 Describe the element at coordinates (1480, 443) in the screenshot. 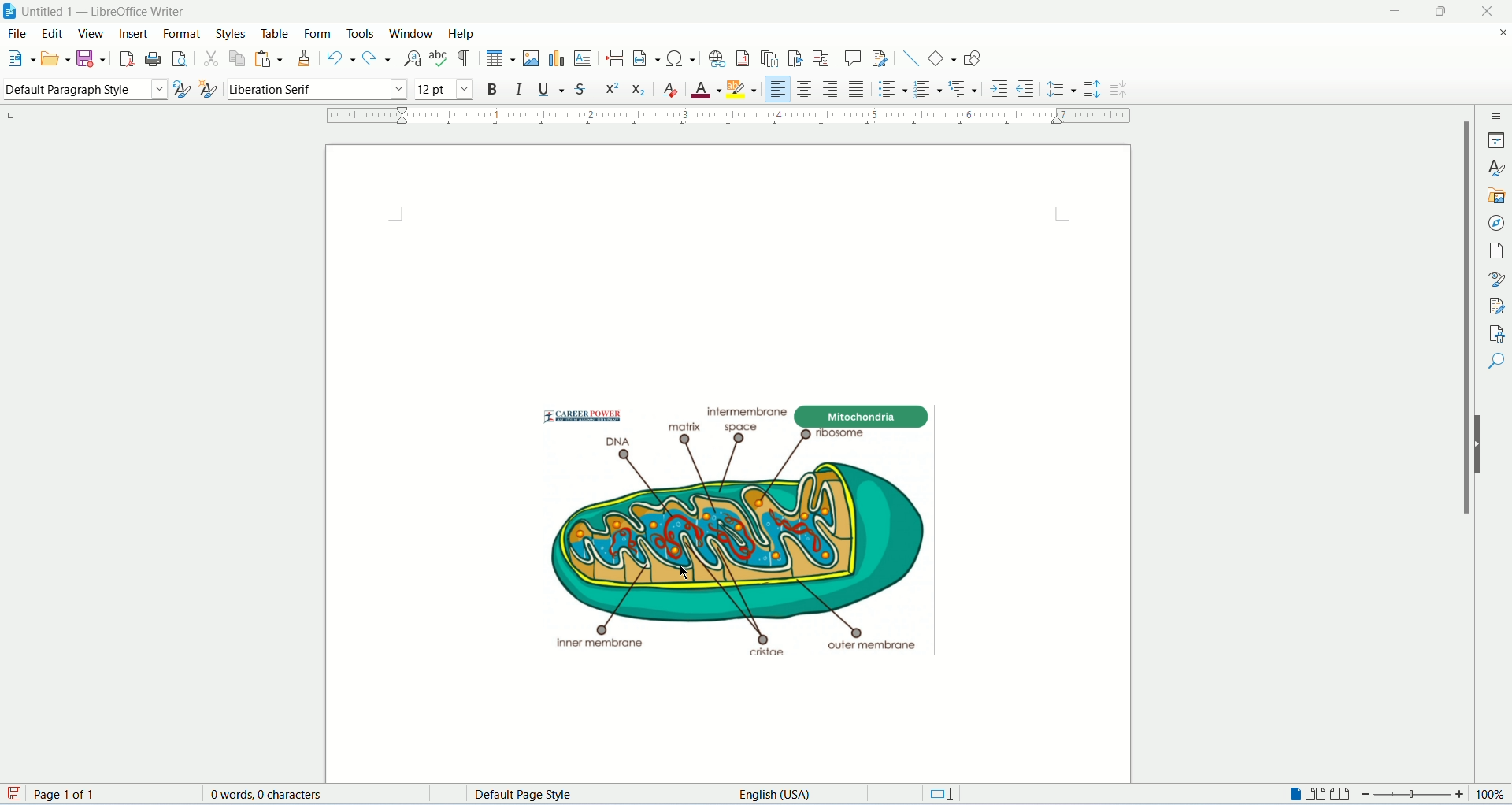

I see `hide` at that location.